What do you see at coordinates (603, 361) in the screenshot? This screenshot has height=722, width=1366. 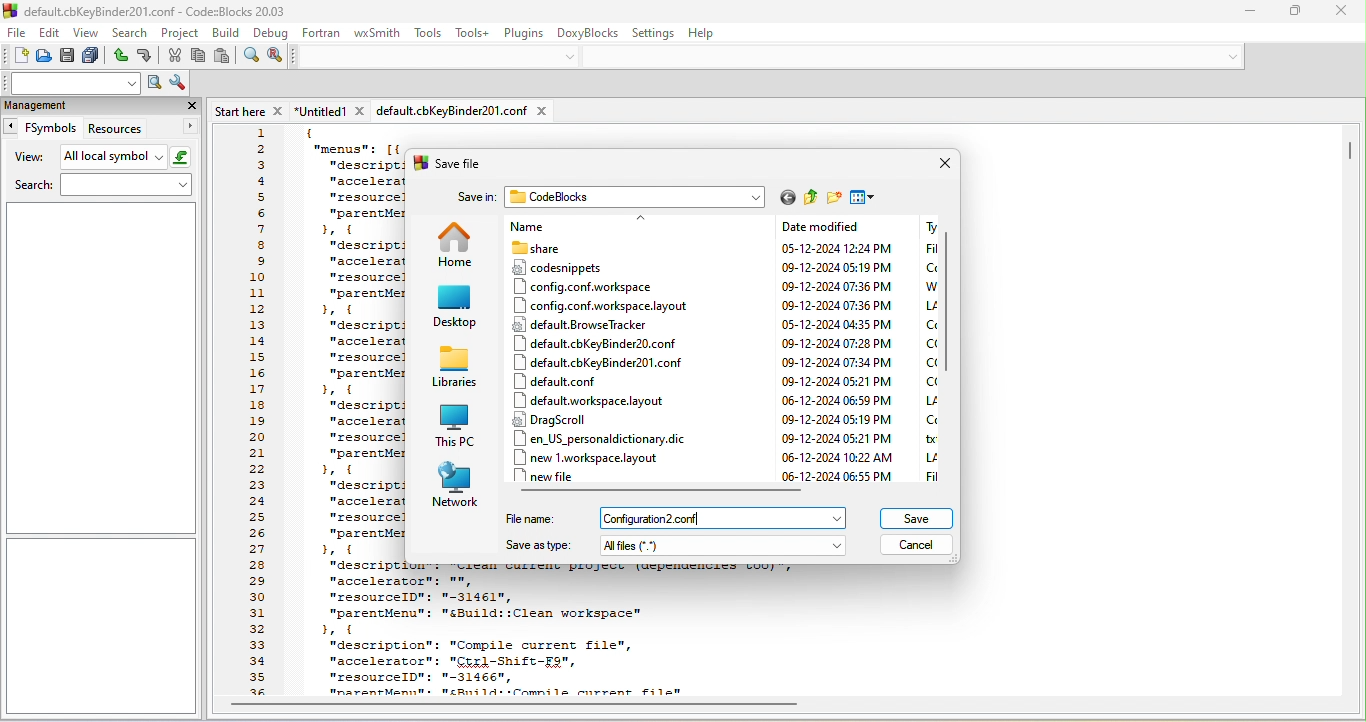 I see `default cbkey binder201 conf` at bounding box center [603, 361].